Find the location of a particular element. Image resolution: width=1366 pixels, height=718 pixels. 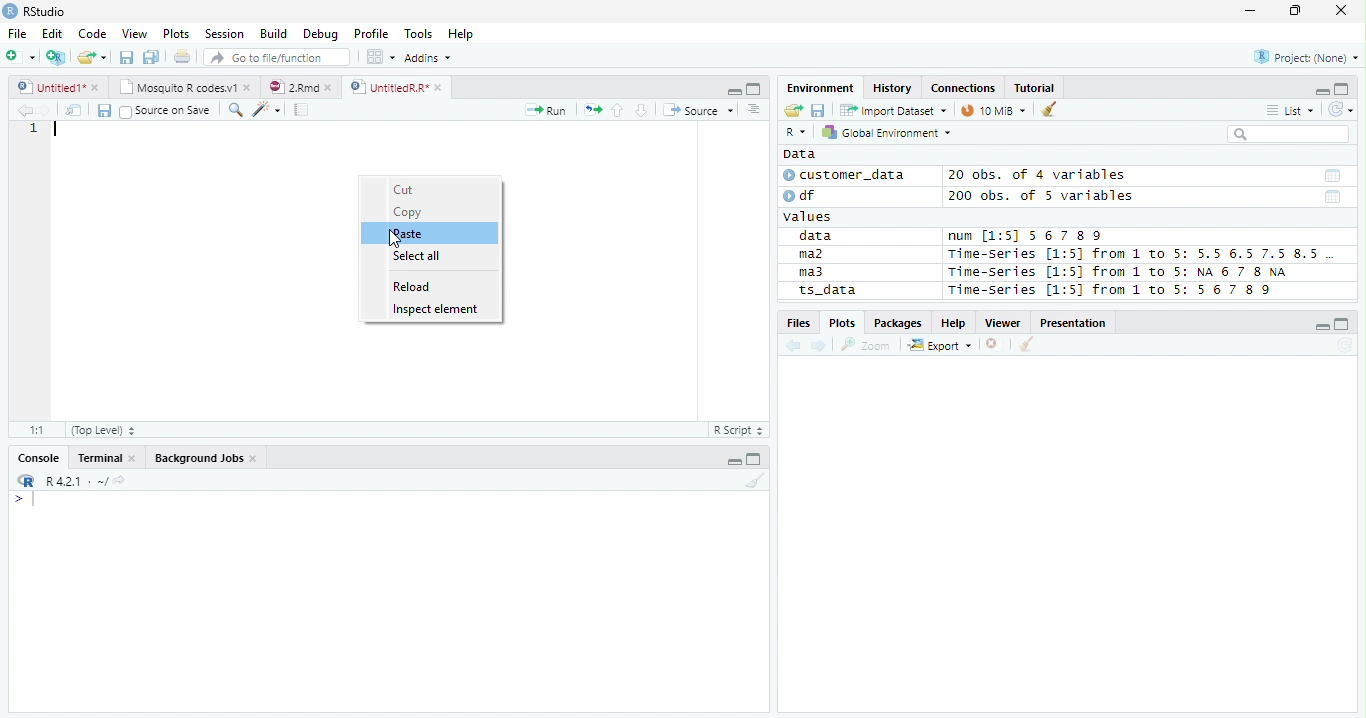

Print is located at coordinates (181, 57).